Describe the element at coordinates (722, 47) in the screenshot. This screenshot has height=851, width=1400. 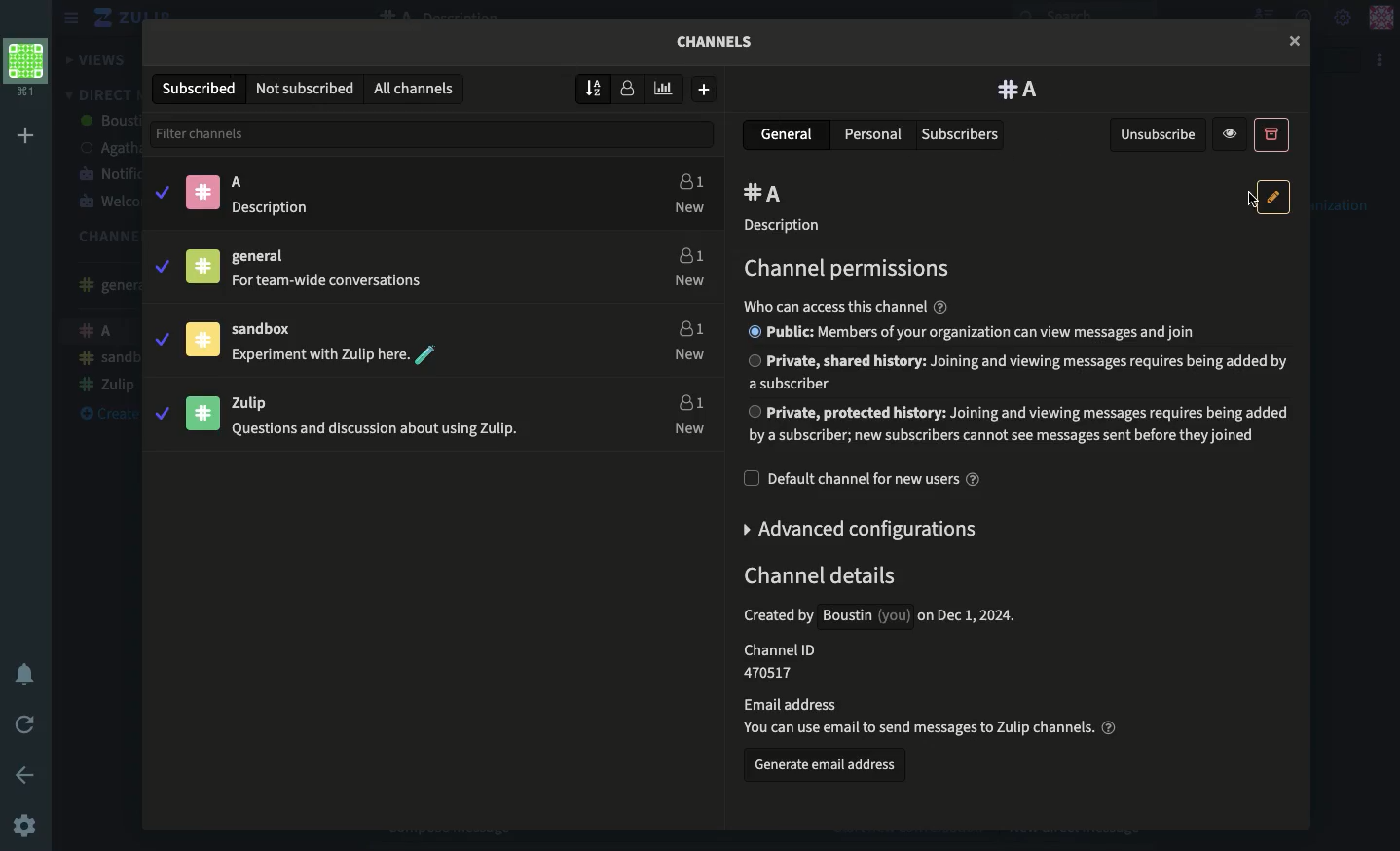
I see `Channels` at that location.